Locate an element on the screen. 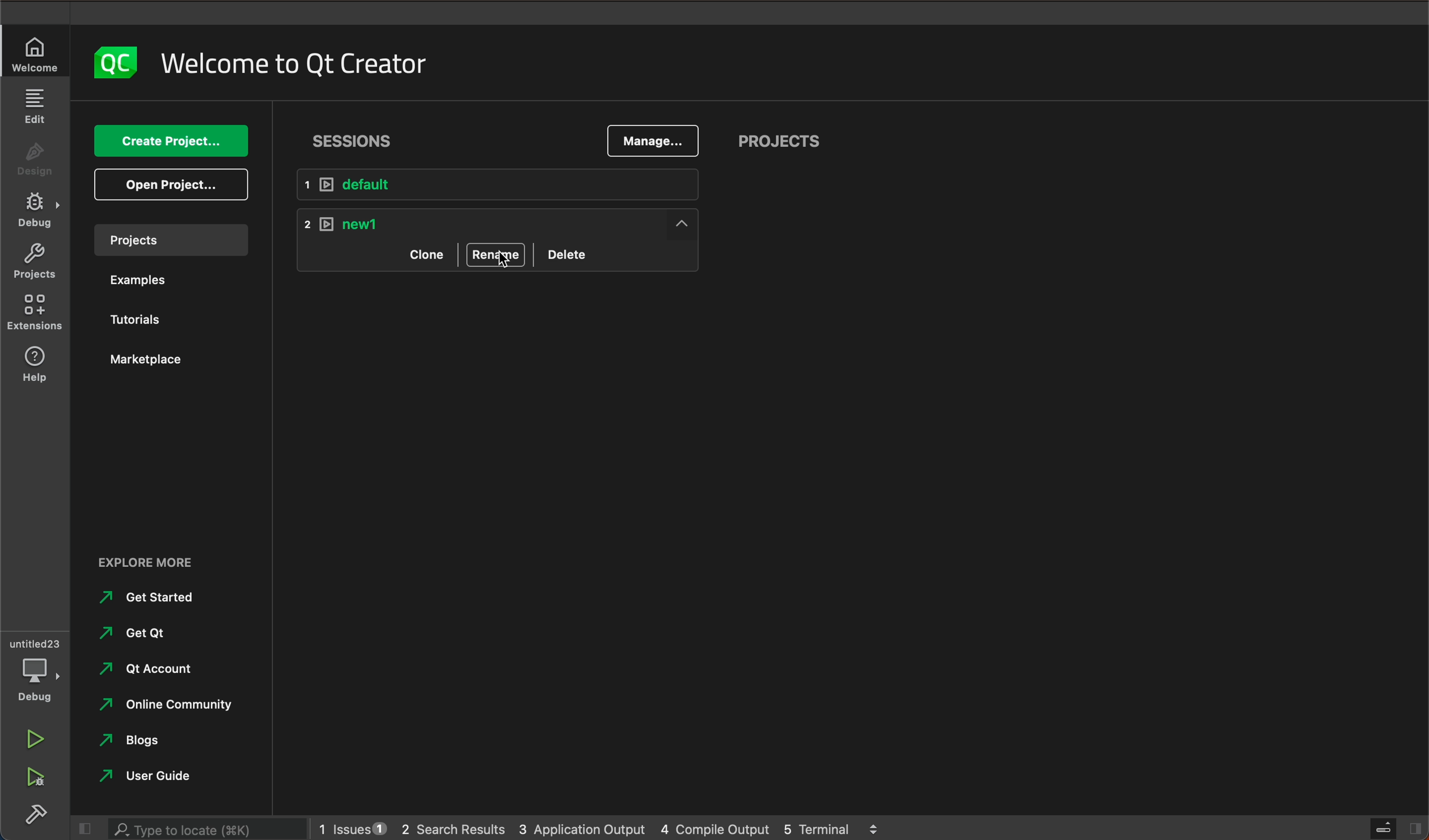 The image size is (1429, 840). create  is located at coordinates (170, 142).